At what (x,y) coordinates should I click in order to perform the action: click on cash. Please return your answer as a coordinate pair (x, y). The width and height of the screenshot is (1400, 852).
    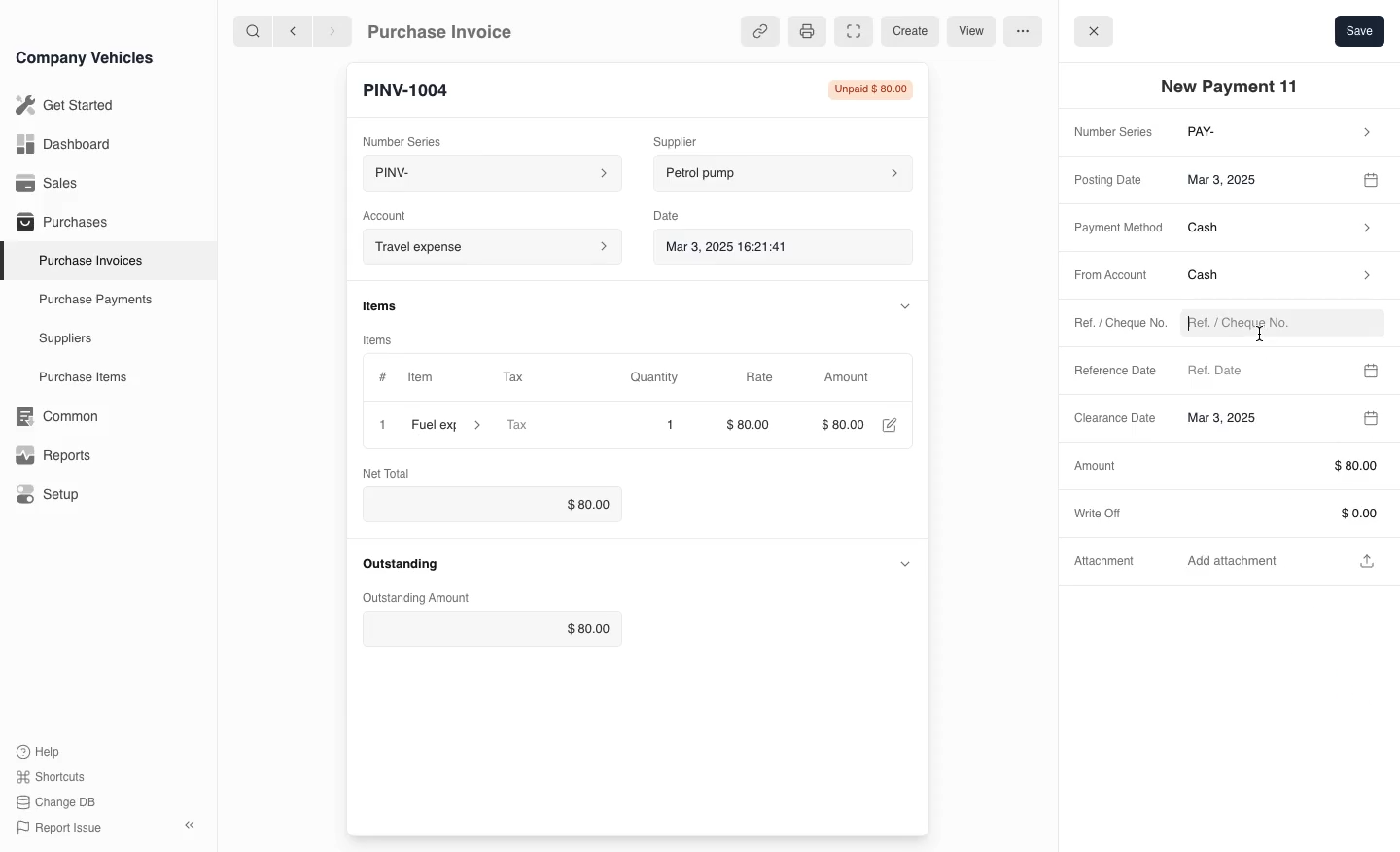
    Looking at the image, I should click on (1277, 279).